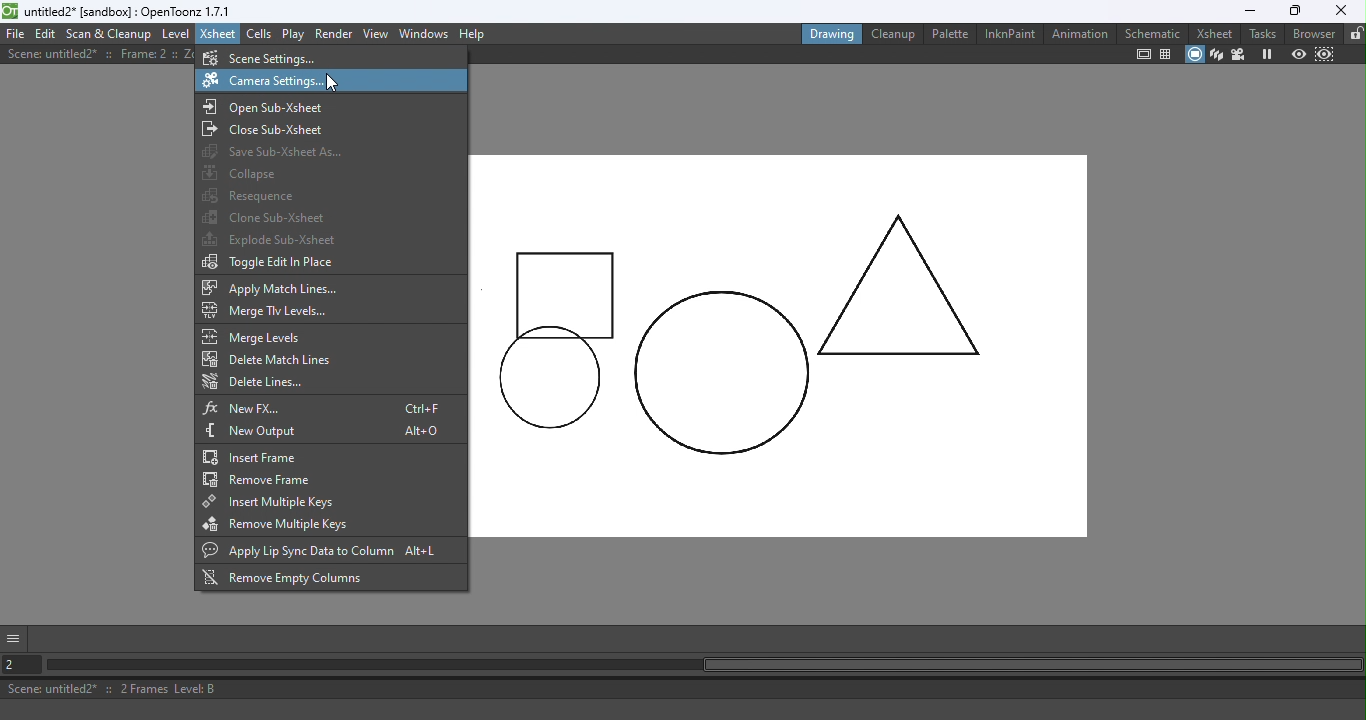 This screenshot has height=720, width=1366. Describe the element at coordinates (252, 196) in the screenshot. I see `Resequence` at that location.